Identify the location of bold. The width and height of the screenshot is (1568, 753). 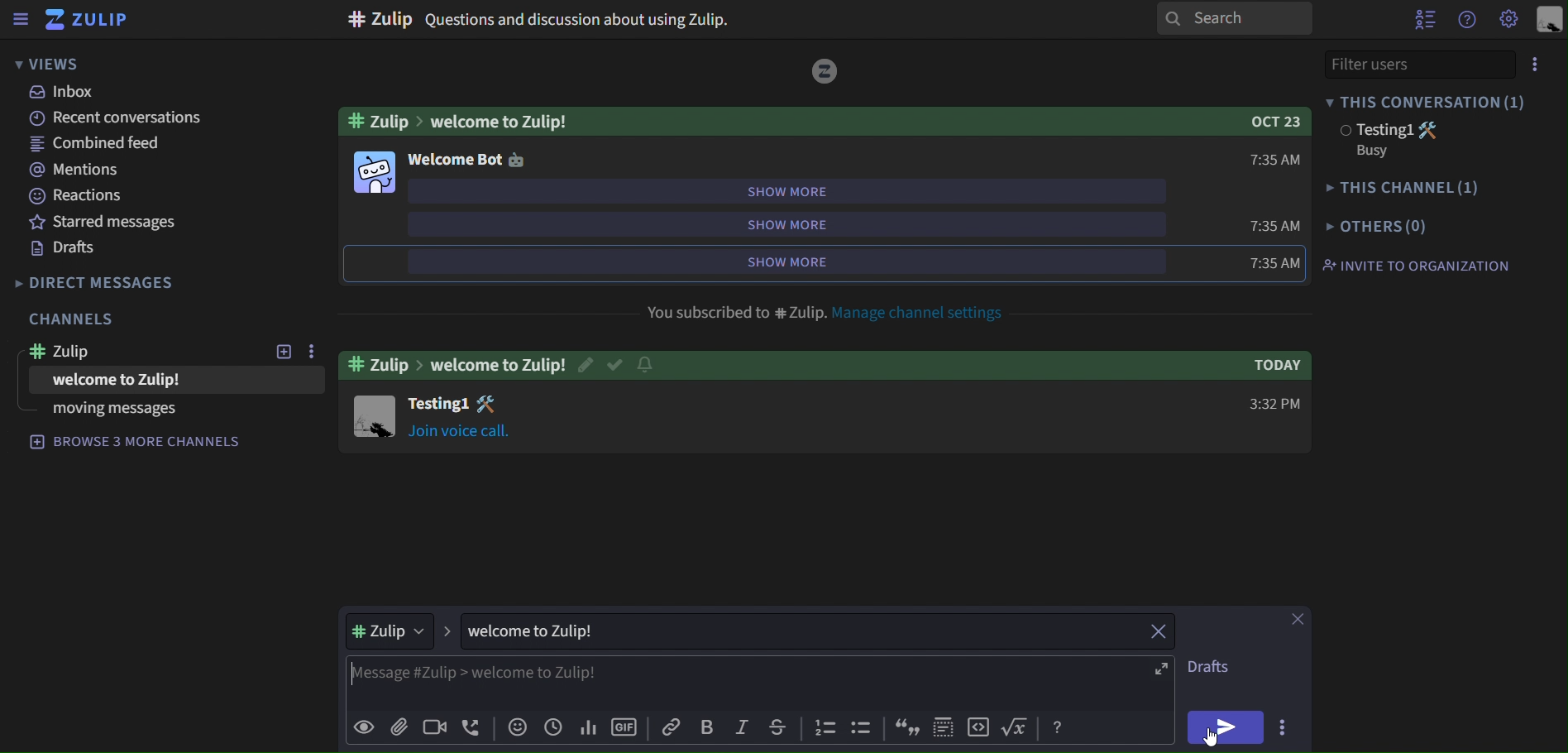
(709, 727).